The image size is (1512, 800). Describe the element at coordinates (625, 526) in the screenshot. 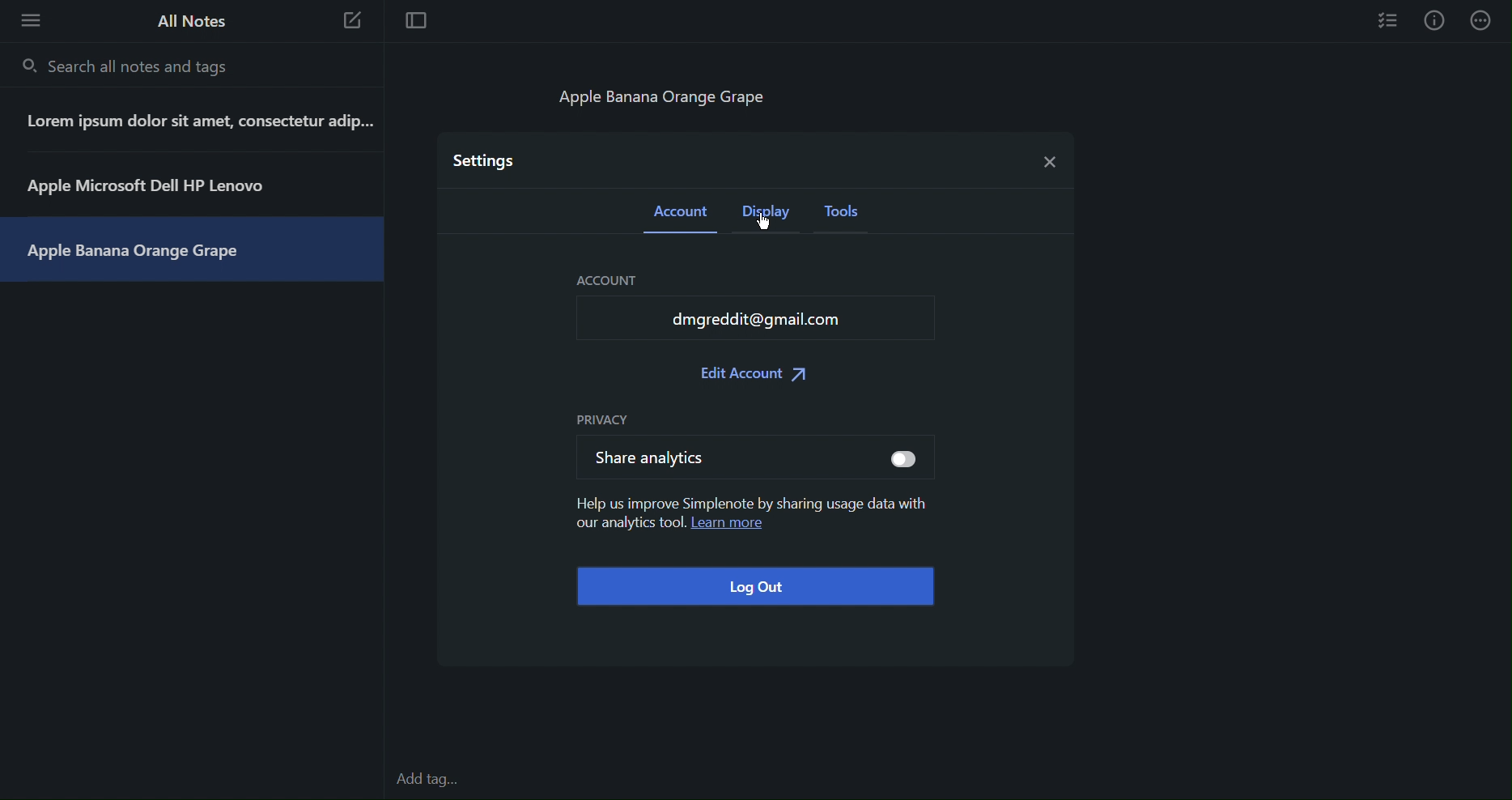

I see `our analytics tool.` at that location.